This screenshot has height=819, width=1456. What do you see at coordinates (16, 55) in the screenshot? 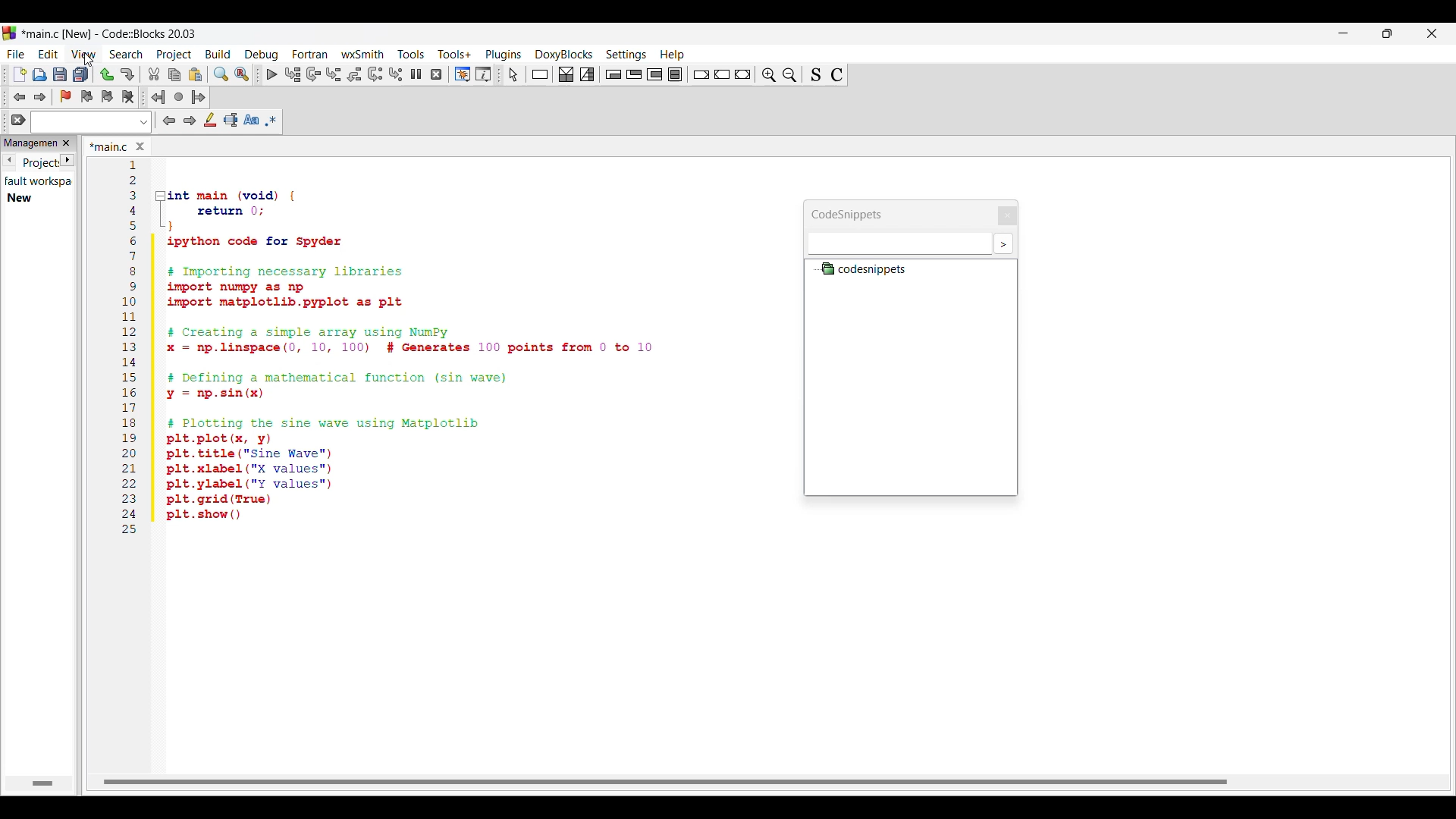
I see `File menu` at bounding box center [16, 55].